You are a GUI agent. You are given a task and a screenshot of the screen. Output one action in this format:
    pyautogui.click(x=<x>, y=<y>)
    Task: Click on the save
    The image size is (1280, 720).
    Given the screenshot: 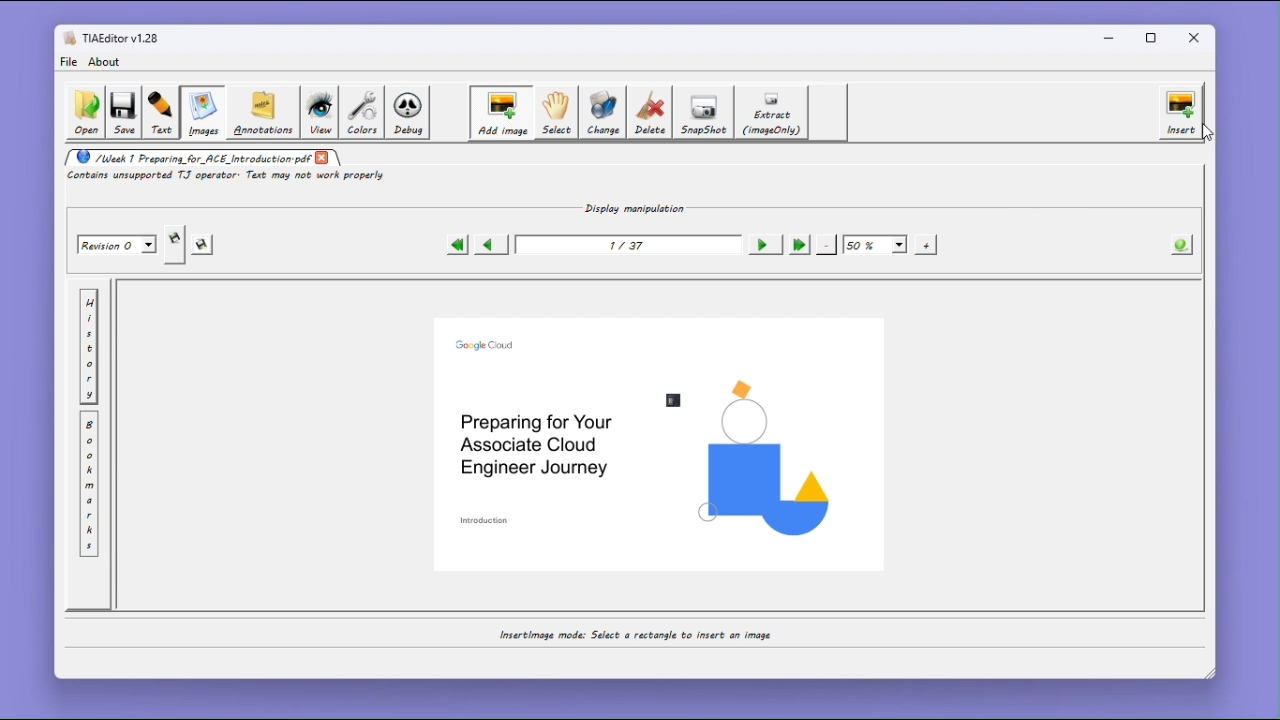 What is the action you would take?
    pyautogui.click(x=204, y=246)
    